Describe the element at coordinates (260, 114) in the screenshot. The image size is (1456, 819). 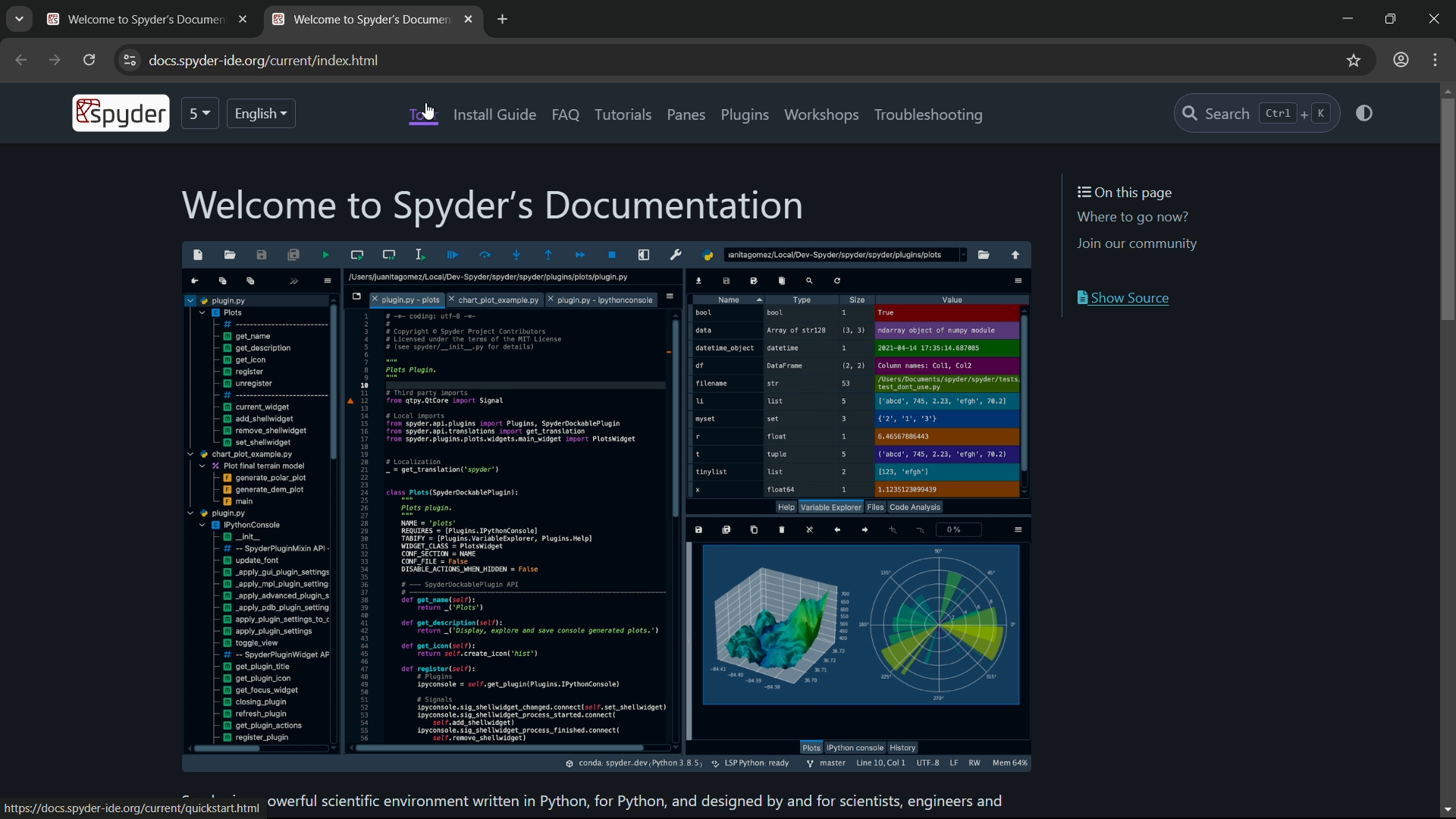
I see `English` at that location.